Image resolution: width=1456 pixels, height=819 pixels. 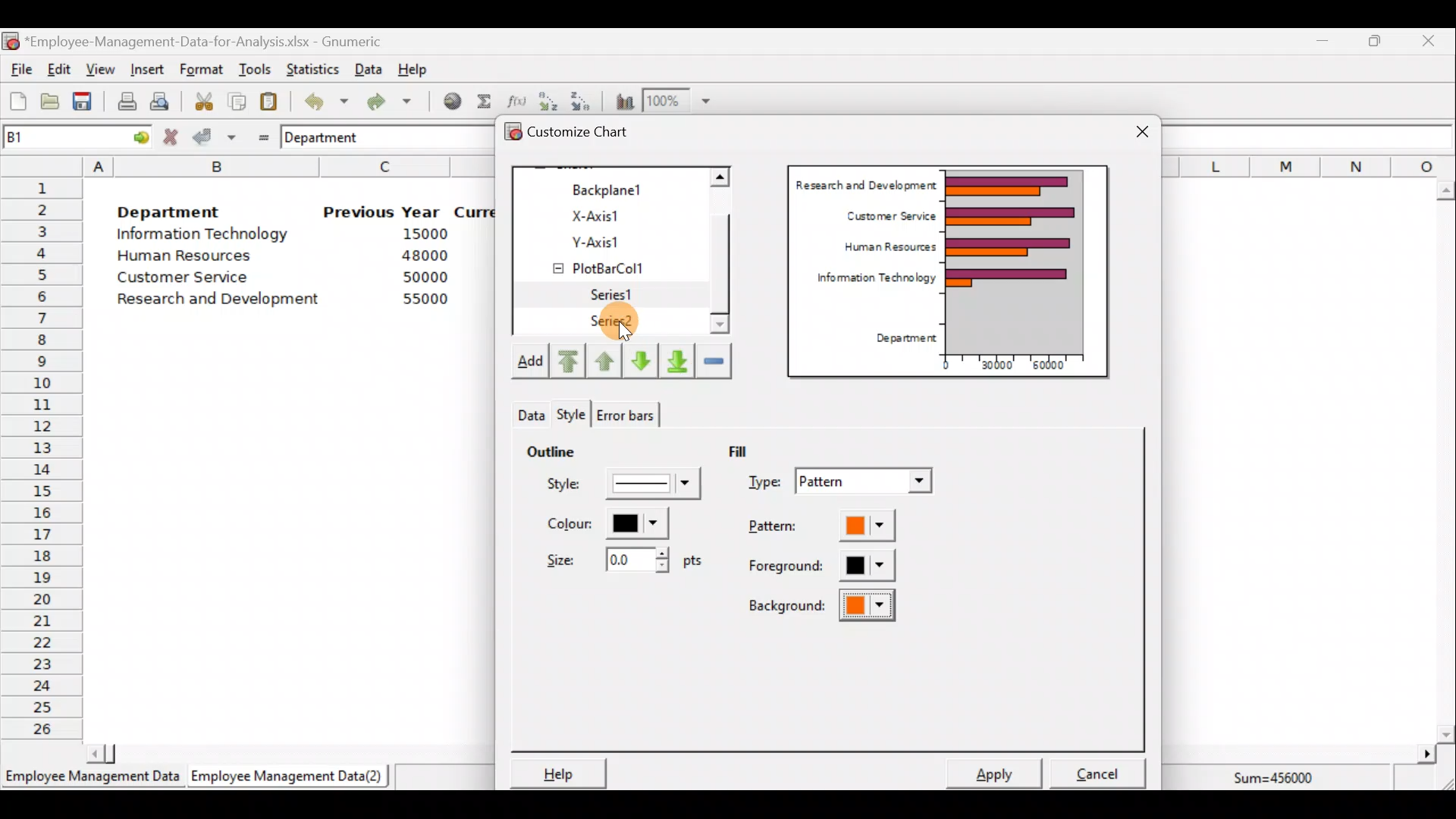 What do you see at coordinates (728, 253) in the screenshot?
I see `Scroll bar` at bounding box center [728, 253].